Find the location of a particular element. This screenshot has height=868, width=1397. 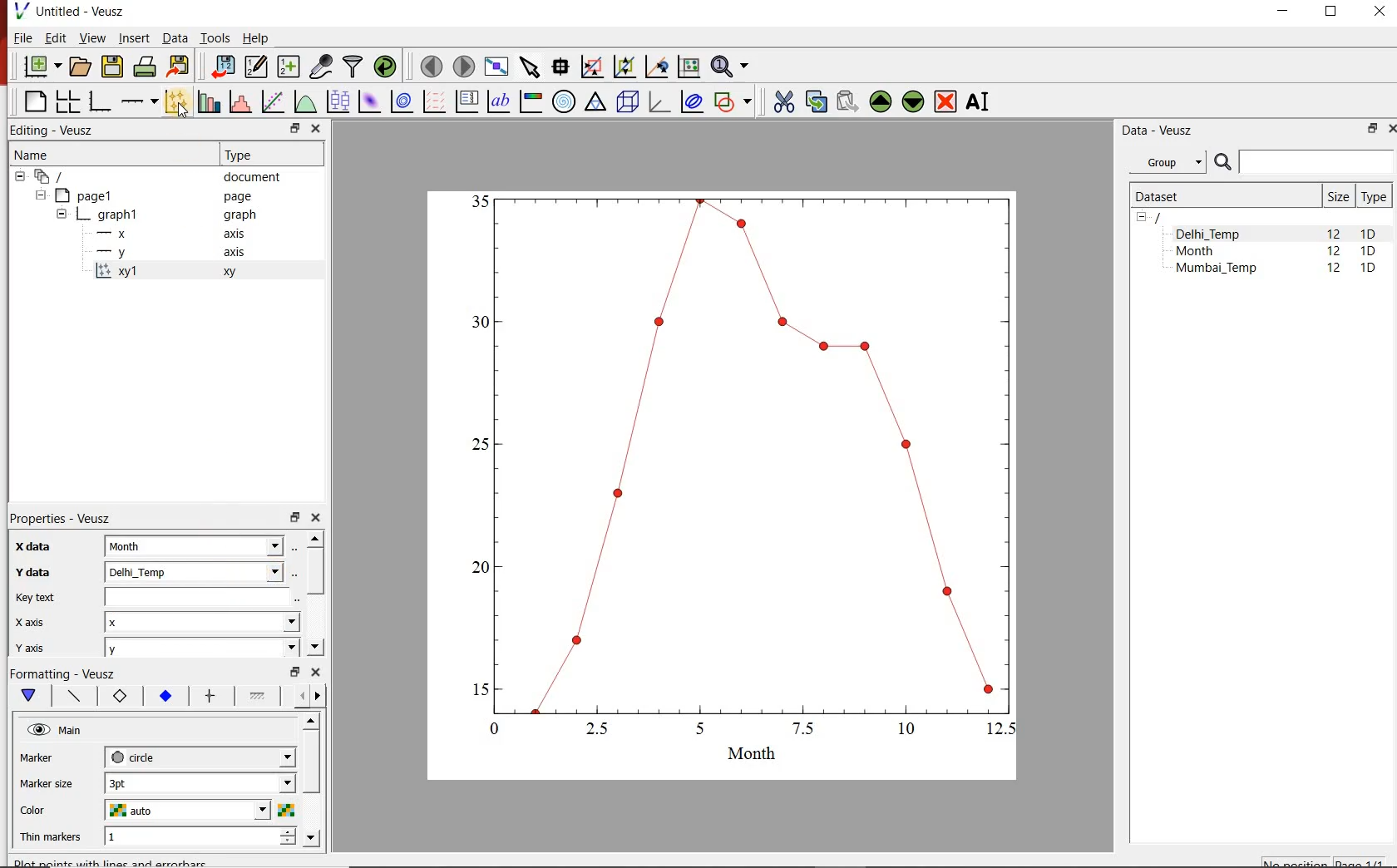

plot bar charts is located at coordinates (206, 102).